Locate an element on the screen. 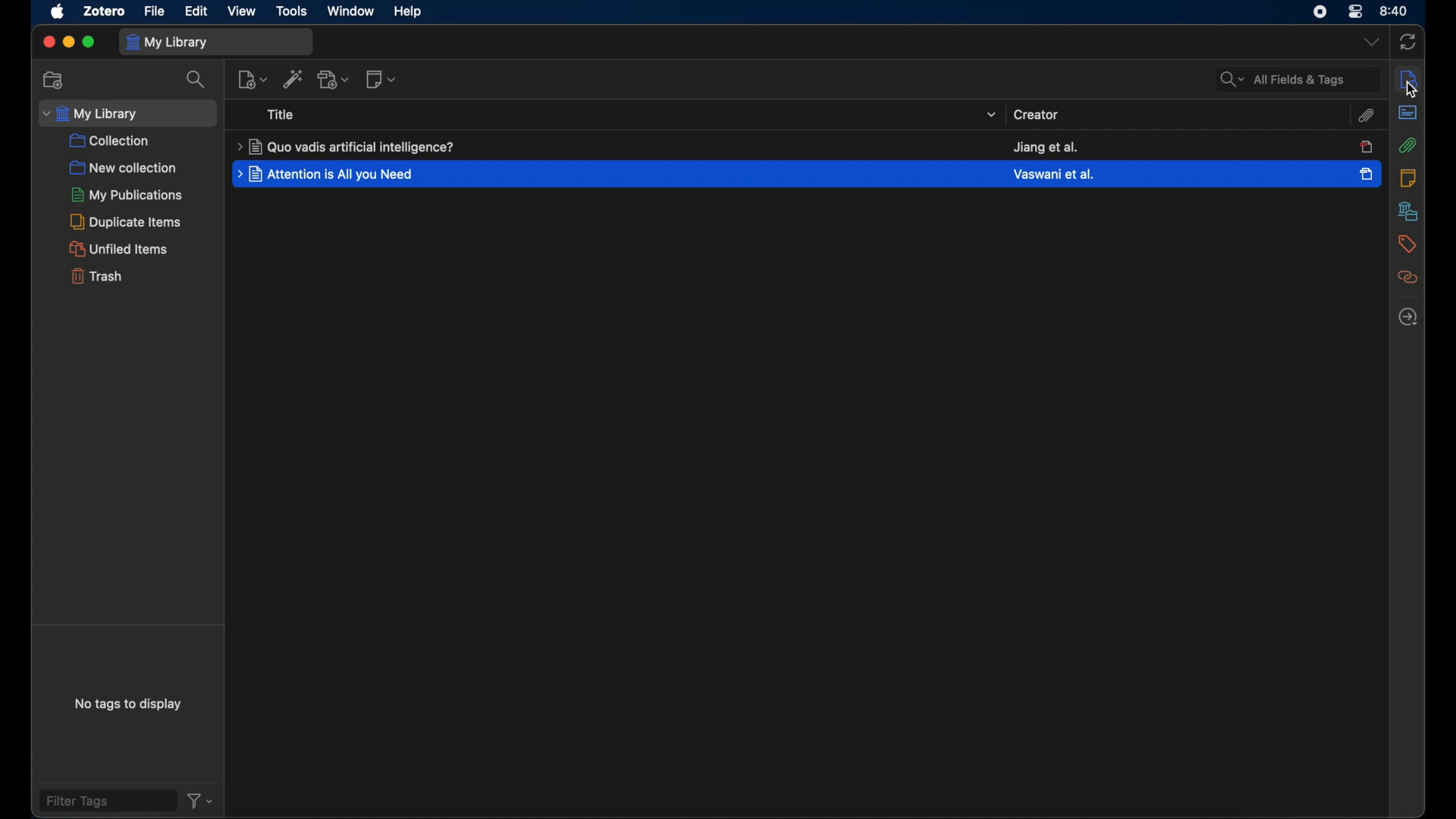 Image resolution: width=1456 pixels, height=819 pixels. cursor is located at coordinates (1415, 93).